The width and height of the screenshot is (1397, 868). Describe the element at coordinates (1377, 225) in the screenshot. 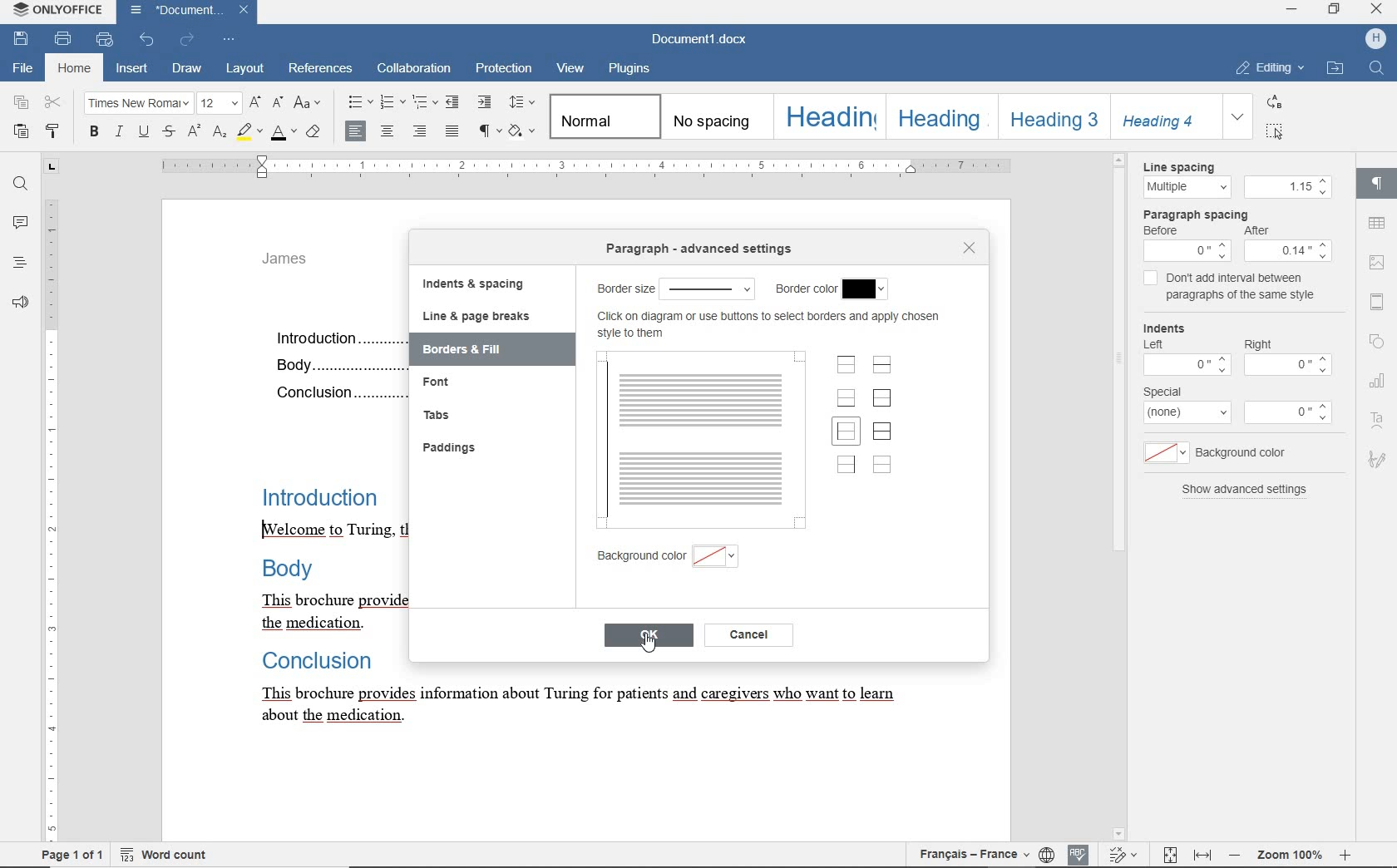

I see `table` at that location.